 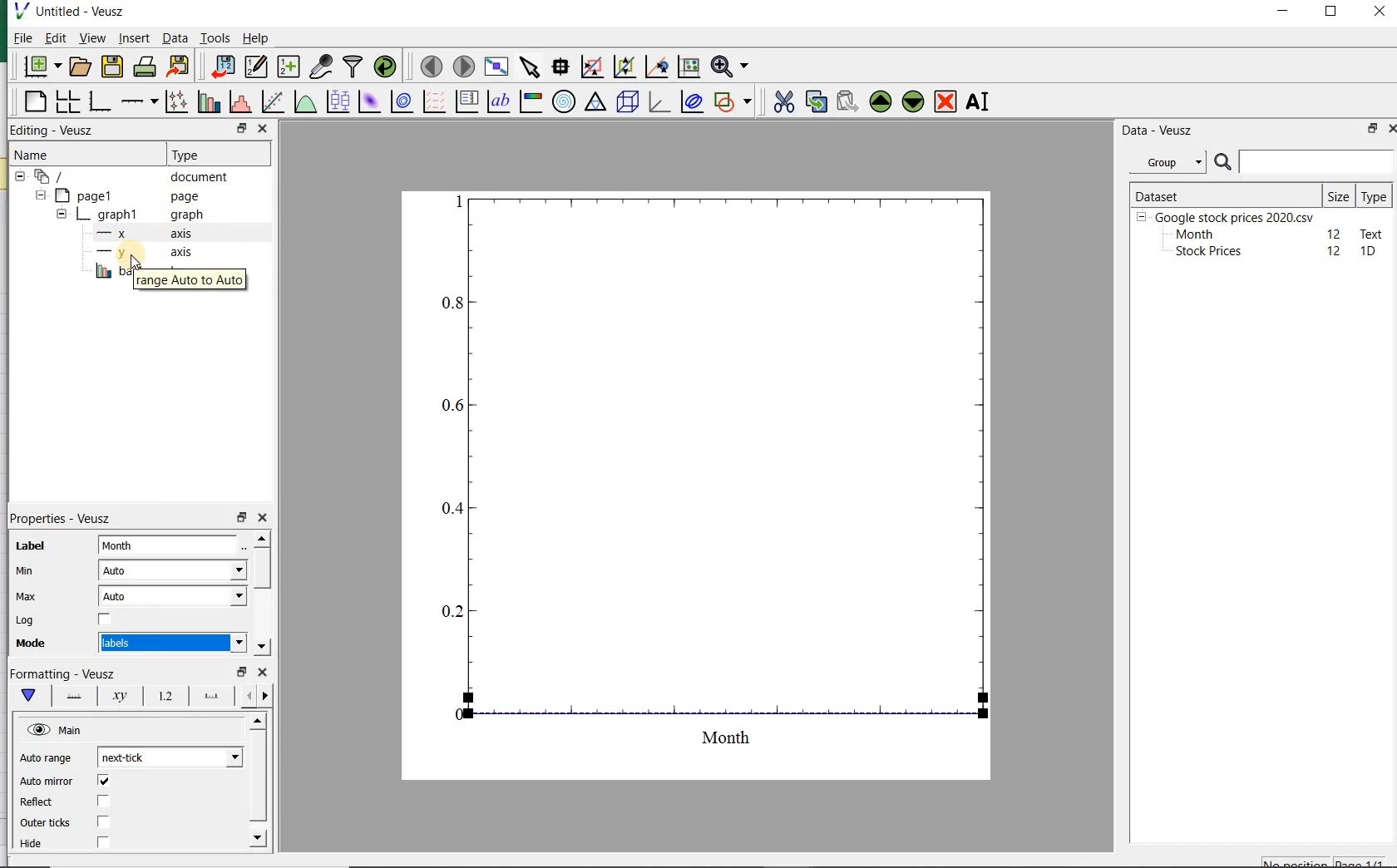 I want to click on close, so click(x=262, y=128).